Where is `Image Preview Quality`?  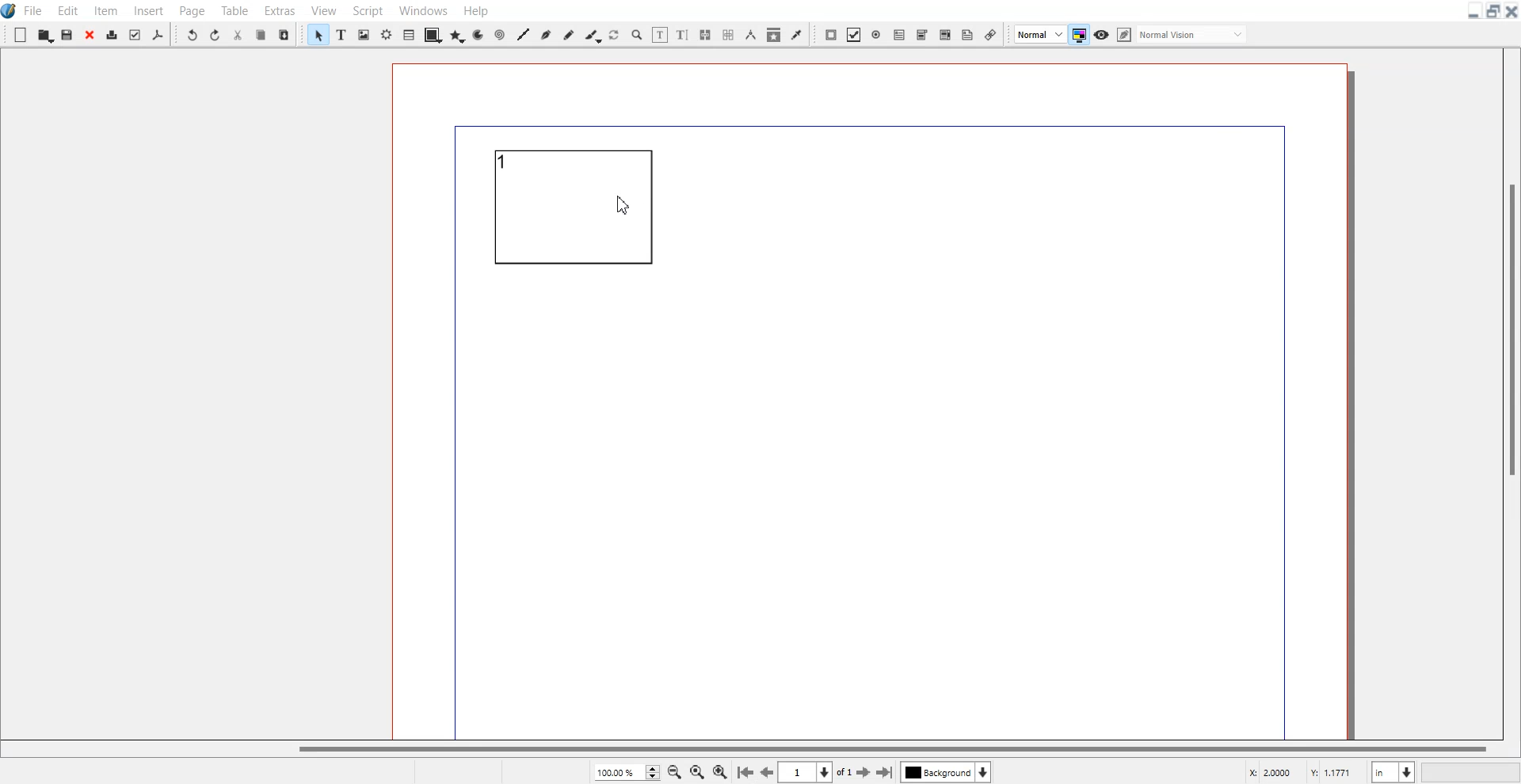 Image Preview Quality is located at coordinates (1039, 33).